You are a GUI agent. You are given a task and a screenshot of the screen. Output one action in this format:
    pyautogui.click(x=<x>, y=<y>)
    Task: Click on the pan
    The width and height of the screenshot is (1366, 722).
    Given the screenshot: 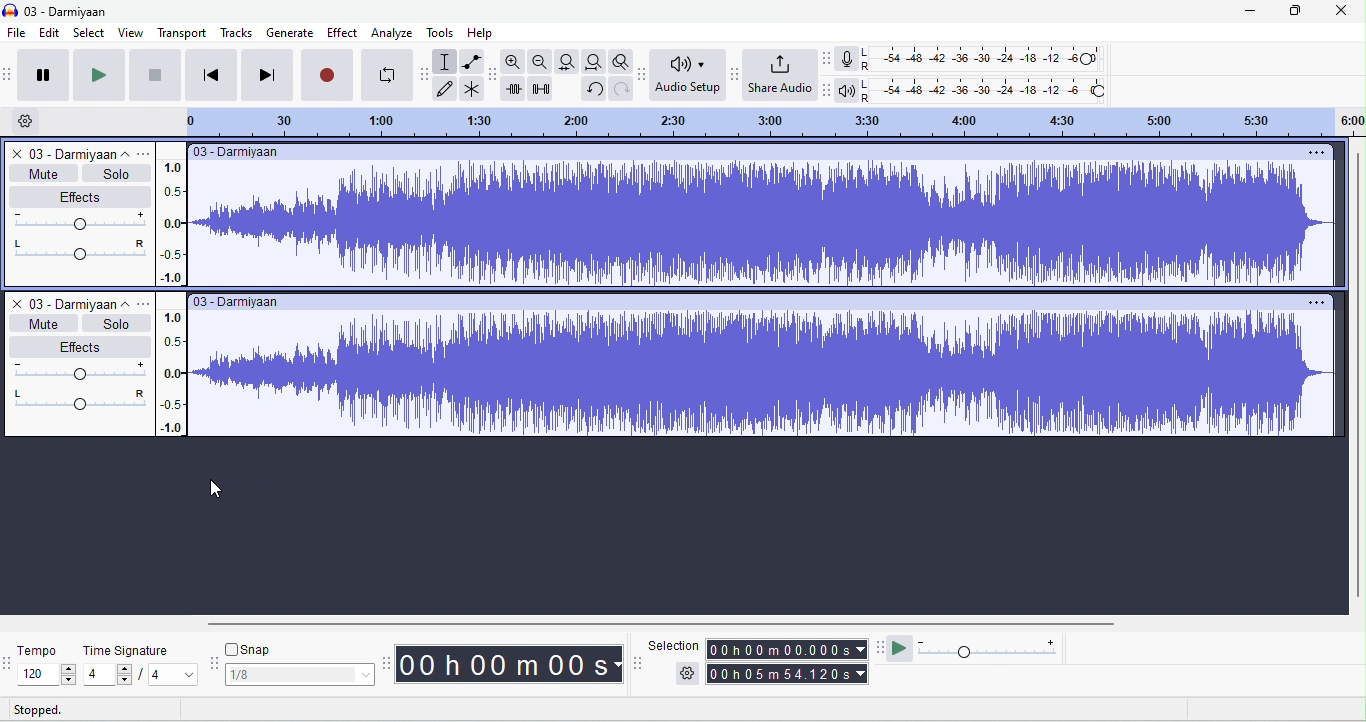 What is the action you would take?
    pyautogui.click(x=79, y=400)
    